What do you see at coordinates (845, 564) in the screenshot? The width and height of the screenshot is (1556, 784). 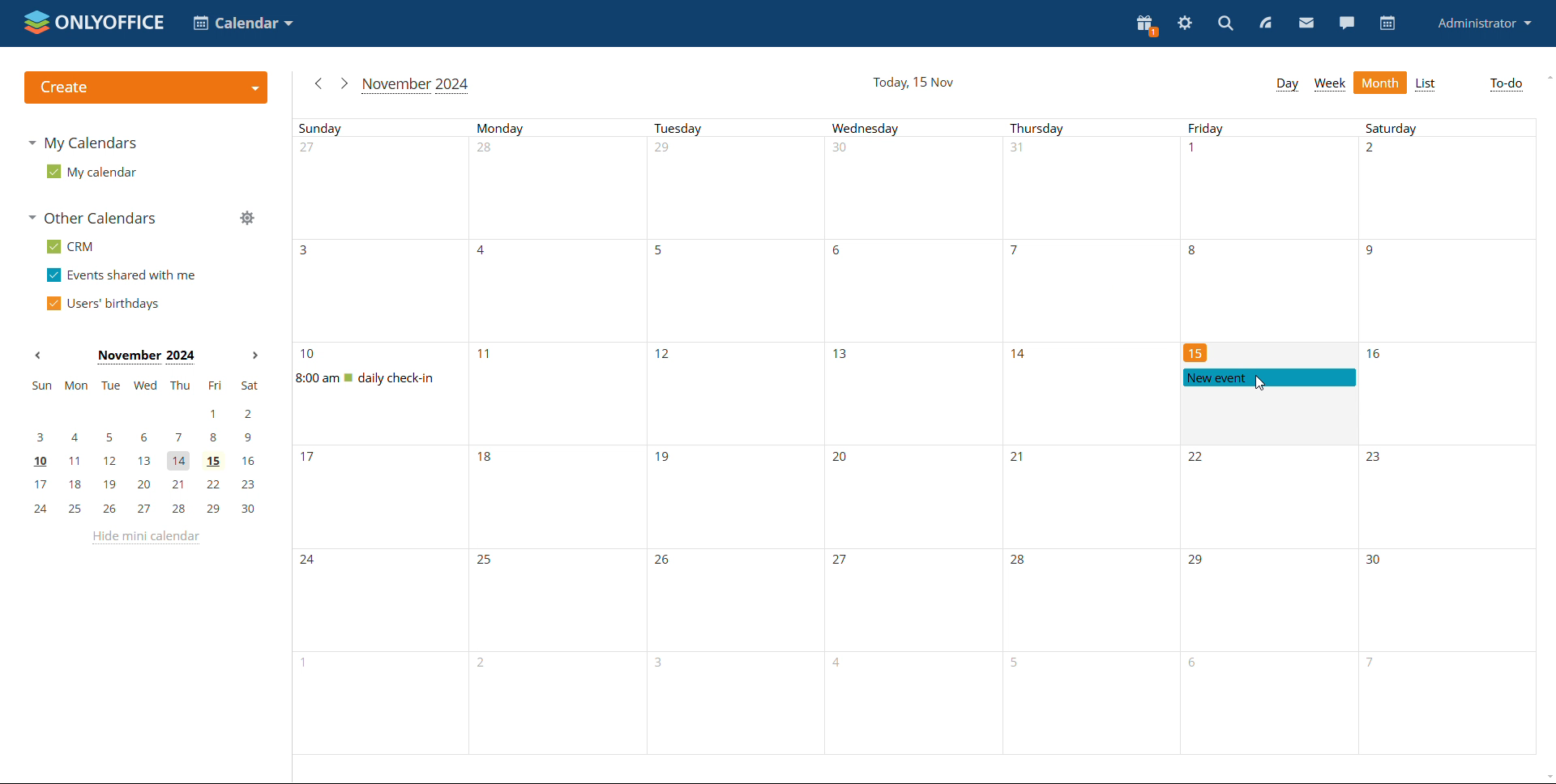 I see `Number` at bounding box center [845, 564].